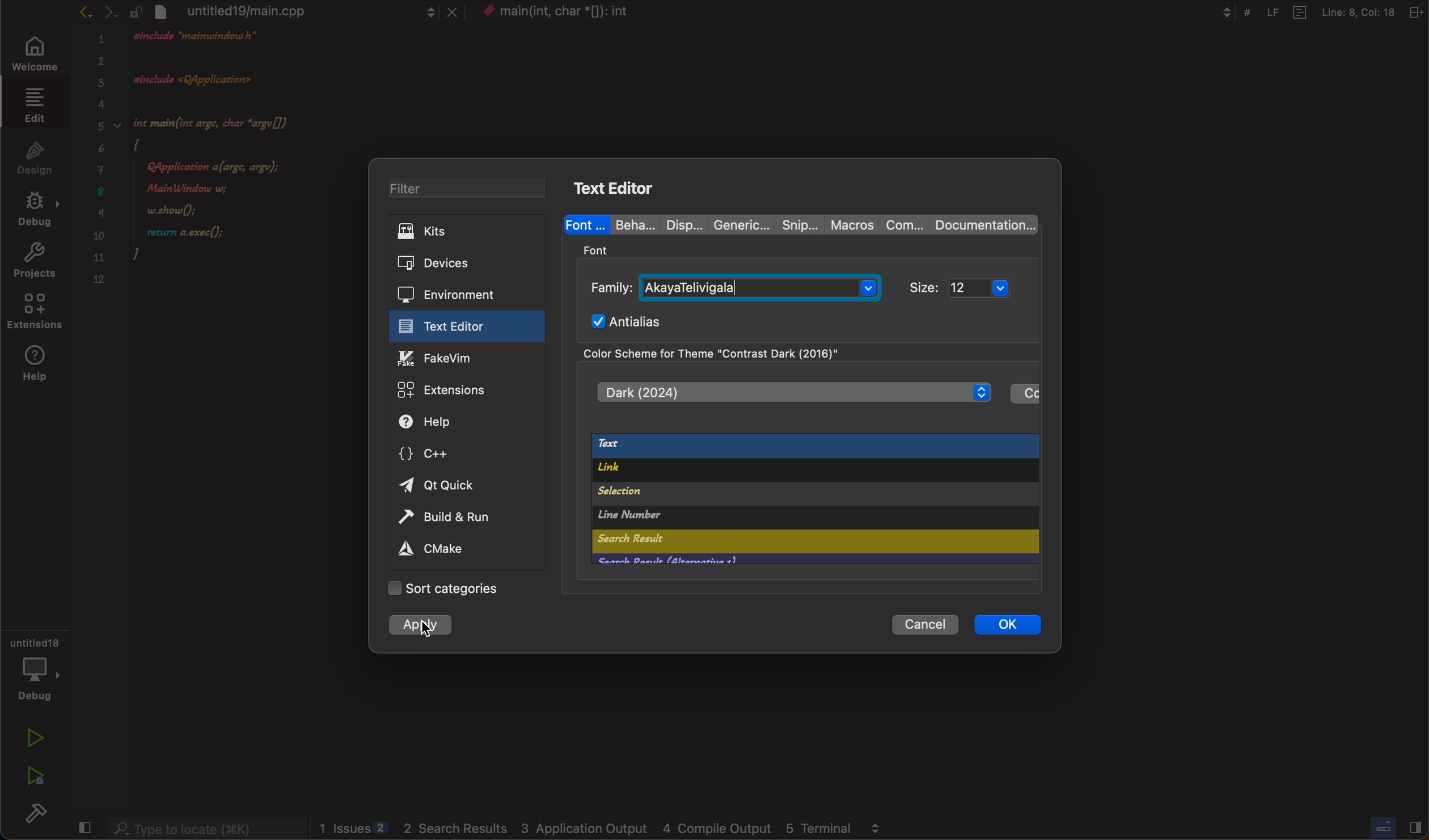 Image resolution: width=1429 pixels, height=840 pixels. Describe the element at coordinates (1398, 828) in the screenshot. I see `close sidebar` at that location.